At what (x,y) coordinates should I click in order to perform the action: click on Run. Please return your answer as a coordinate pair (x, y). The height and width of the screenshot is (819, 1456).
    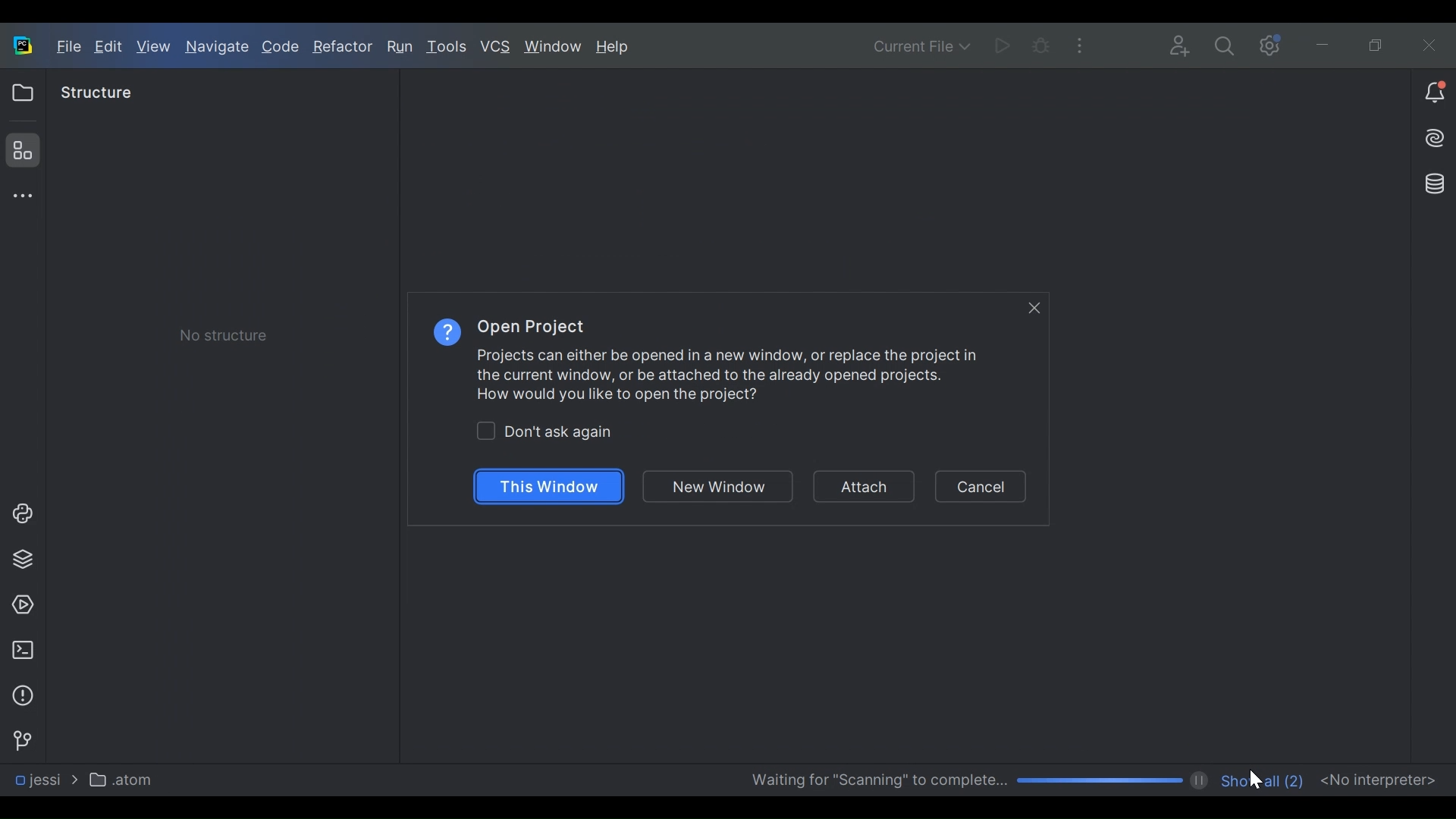
    Looking at the image, I should click on (1000, 46).